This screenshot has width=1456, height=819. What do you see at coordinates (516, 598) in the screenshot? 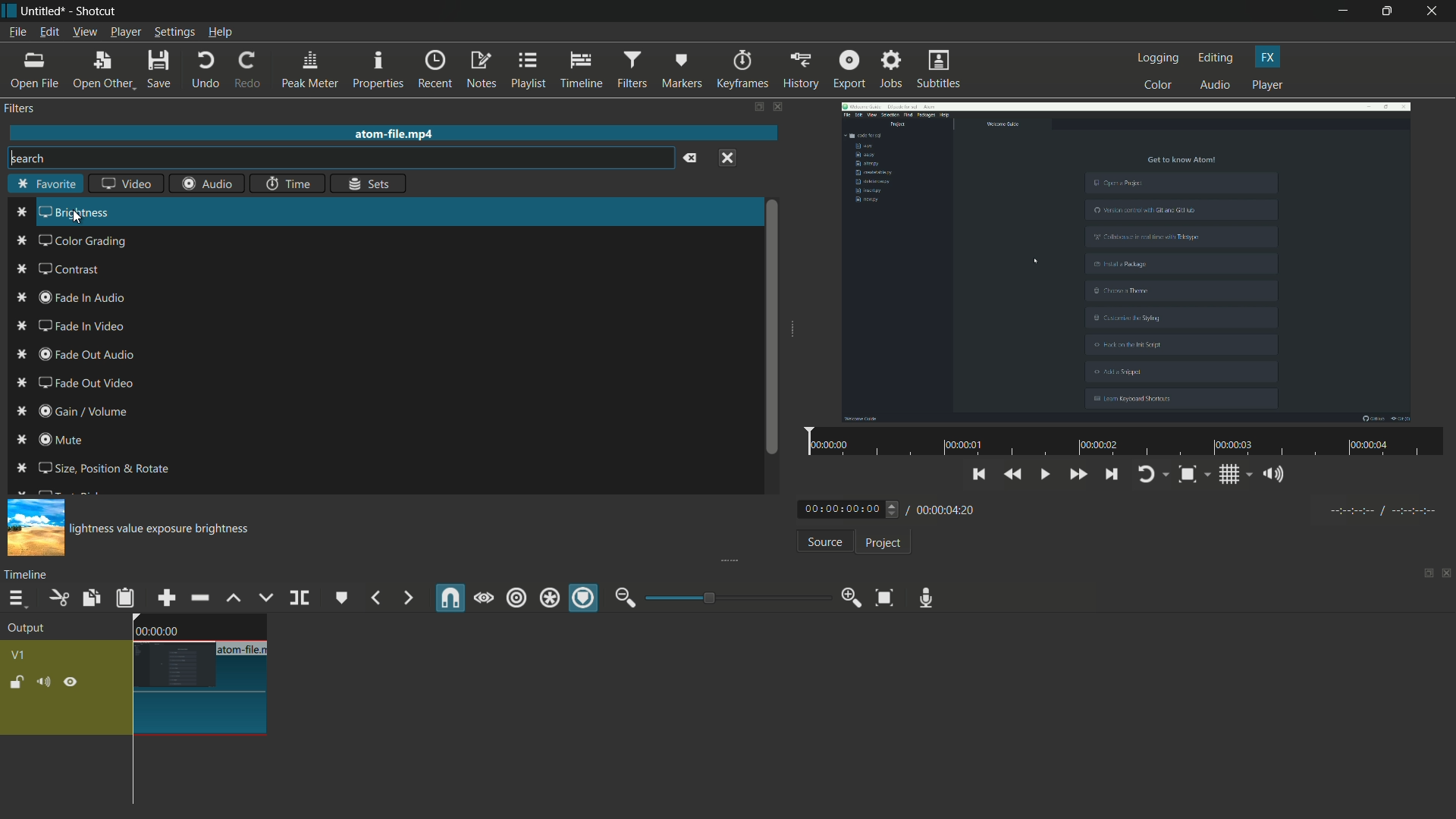
I see `ripple` at bounding box center [516, 598].